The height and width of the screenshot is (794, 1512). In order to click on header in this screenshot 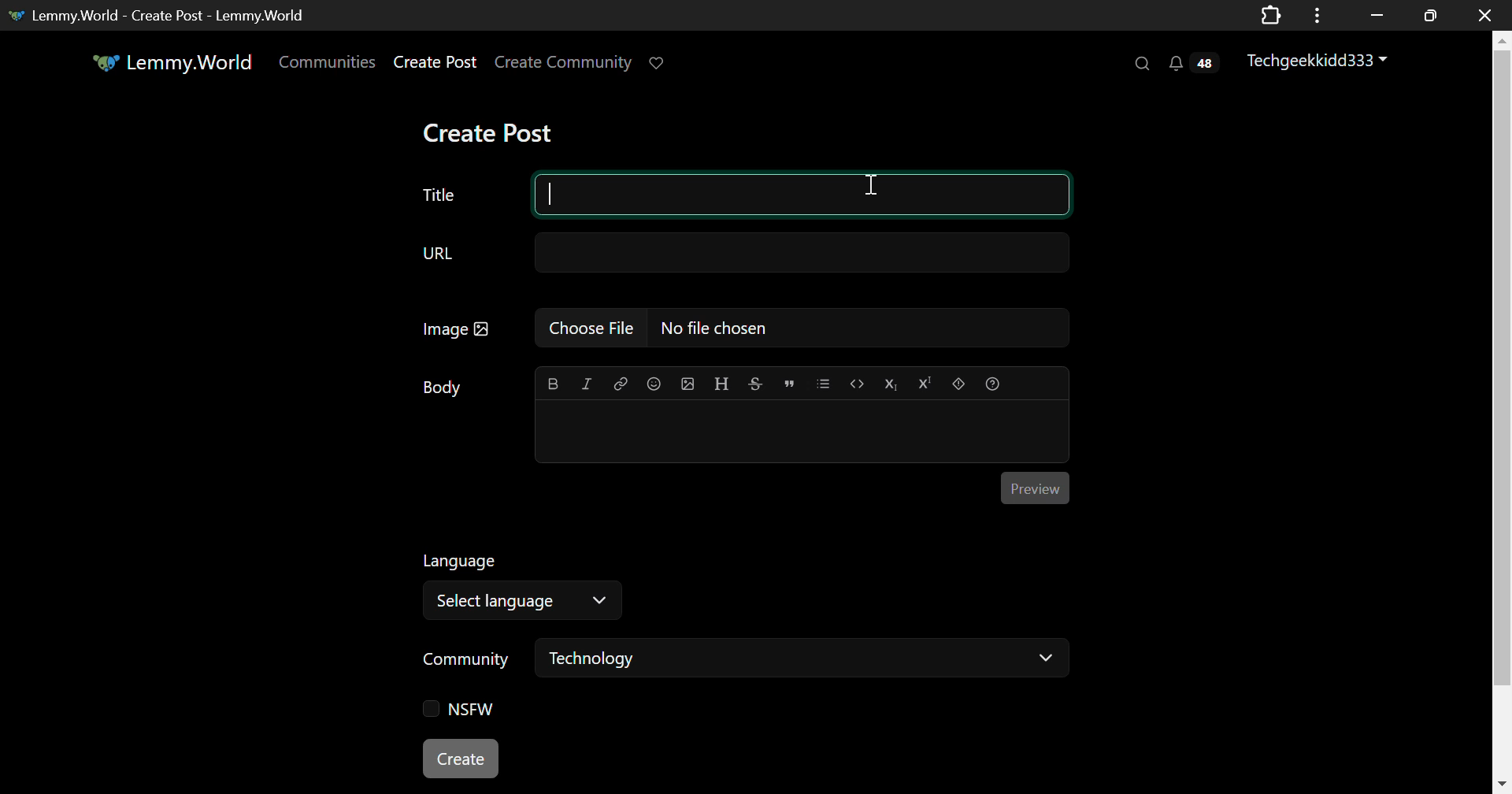, I will do `click(719, 382)`.